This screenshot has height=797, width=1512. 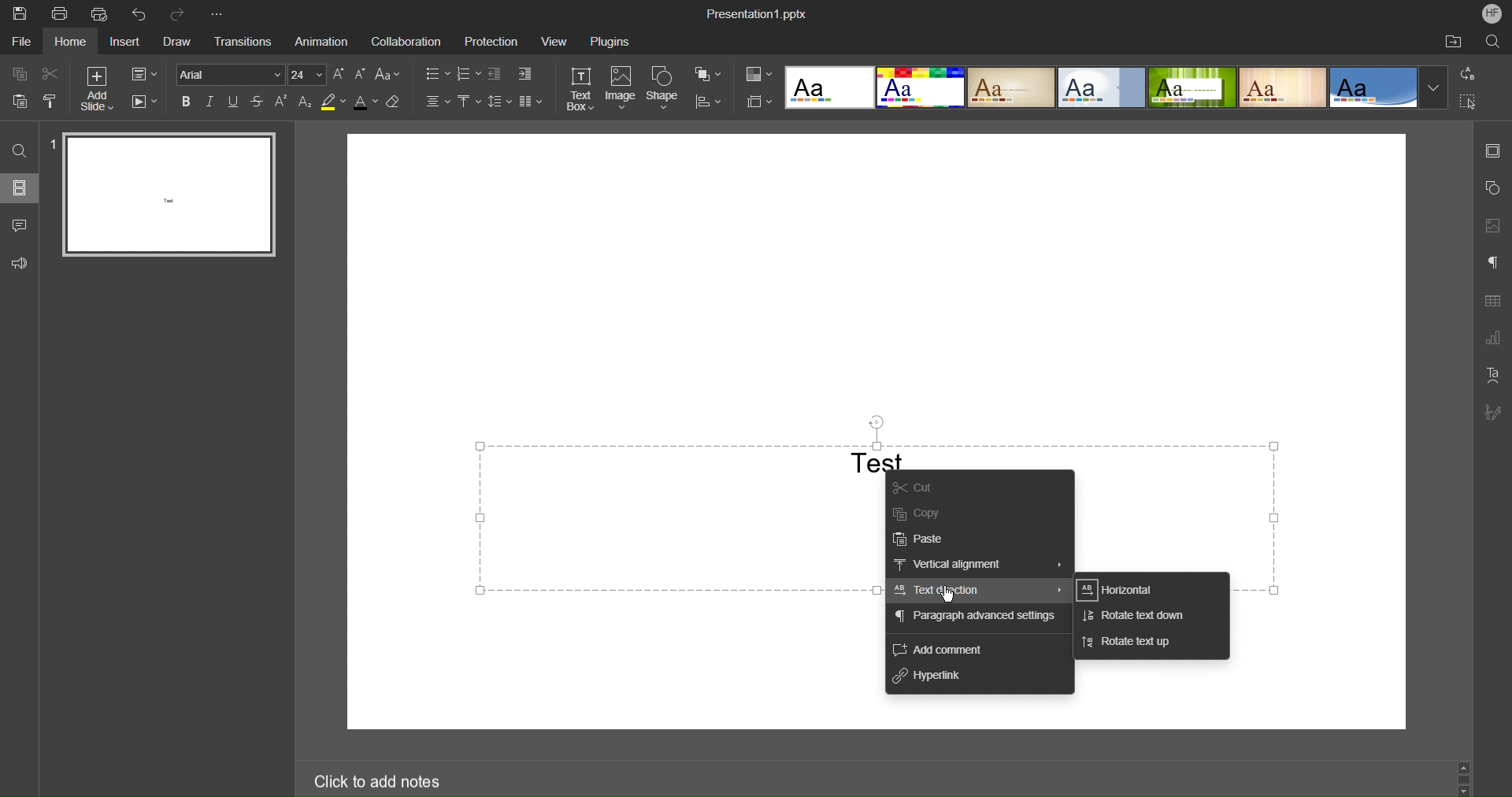 What do you see at coordinates (524, 74) in the screenshot?
I see `Increase Indent` at bounding box center [524, 74].